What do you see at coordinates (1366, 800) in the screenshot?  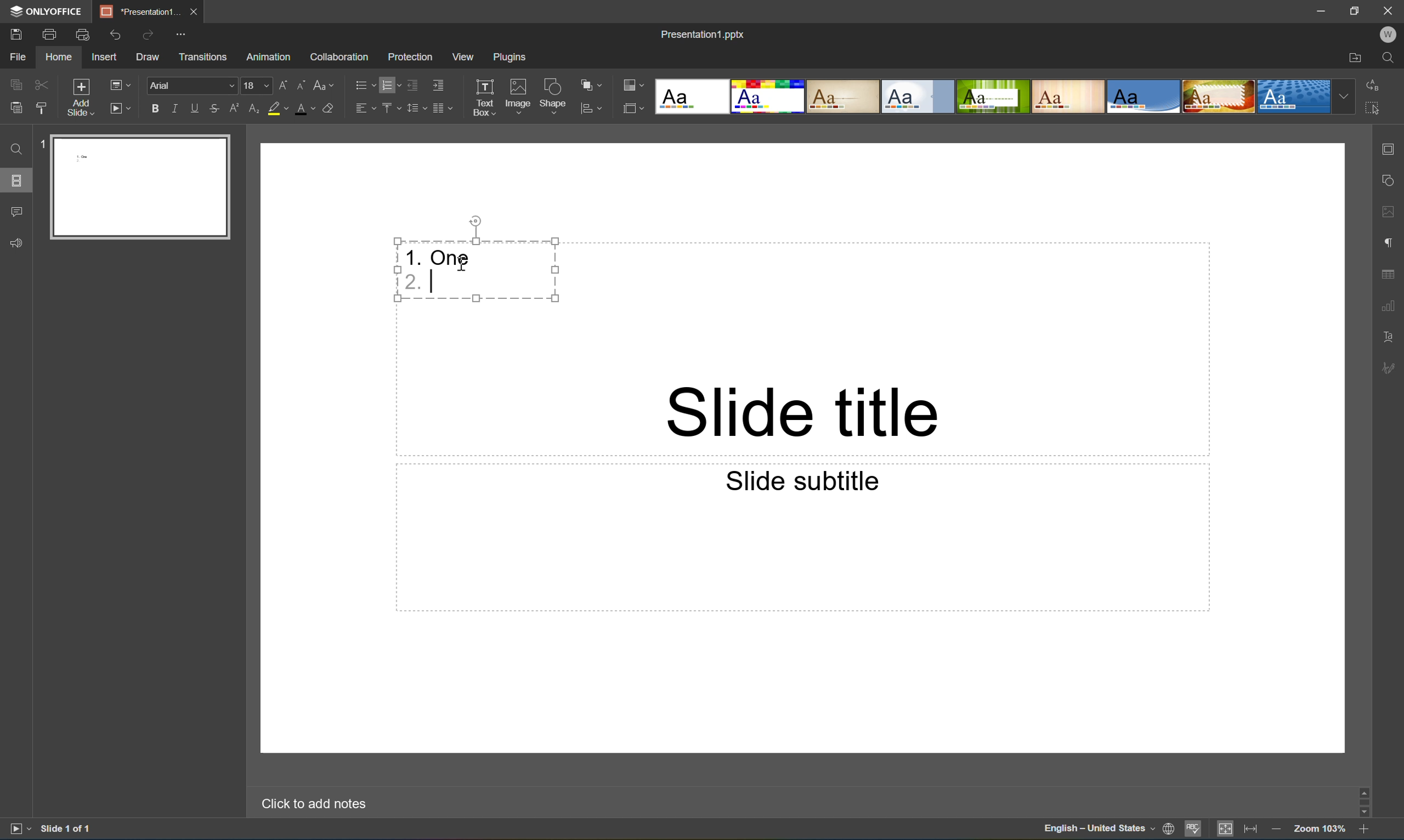 I see `Scroll bar` at bounding box center [1366, 800].